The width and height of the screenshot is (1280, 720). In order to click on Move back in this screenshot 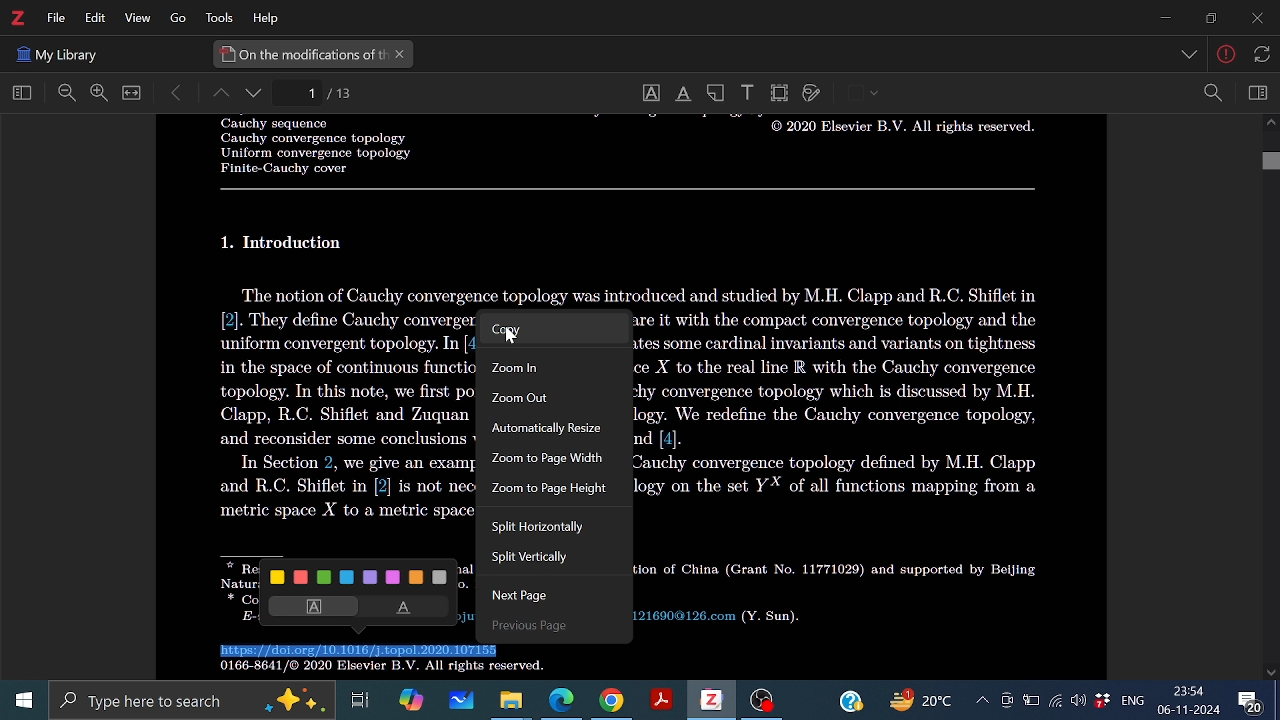, I will do `click(177, 93)`.